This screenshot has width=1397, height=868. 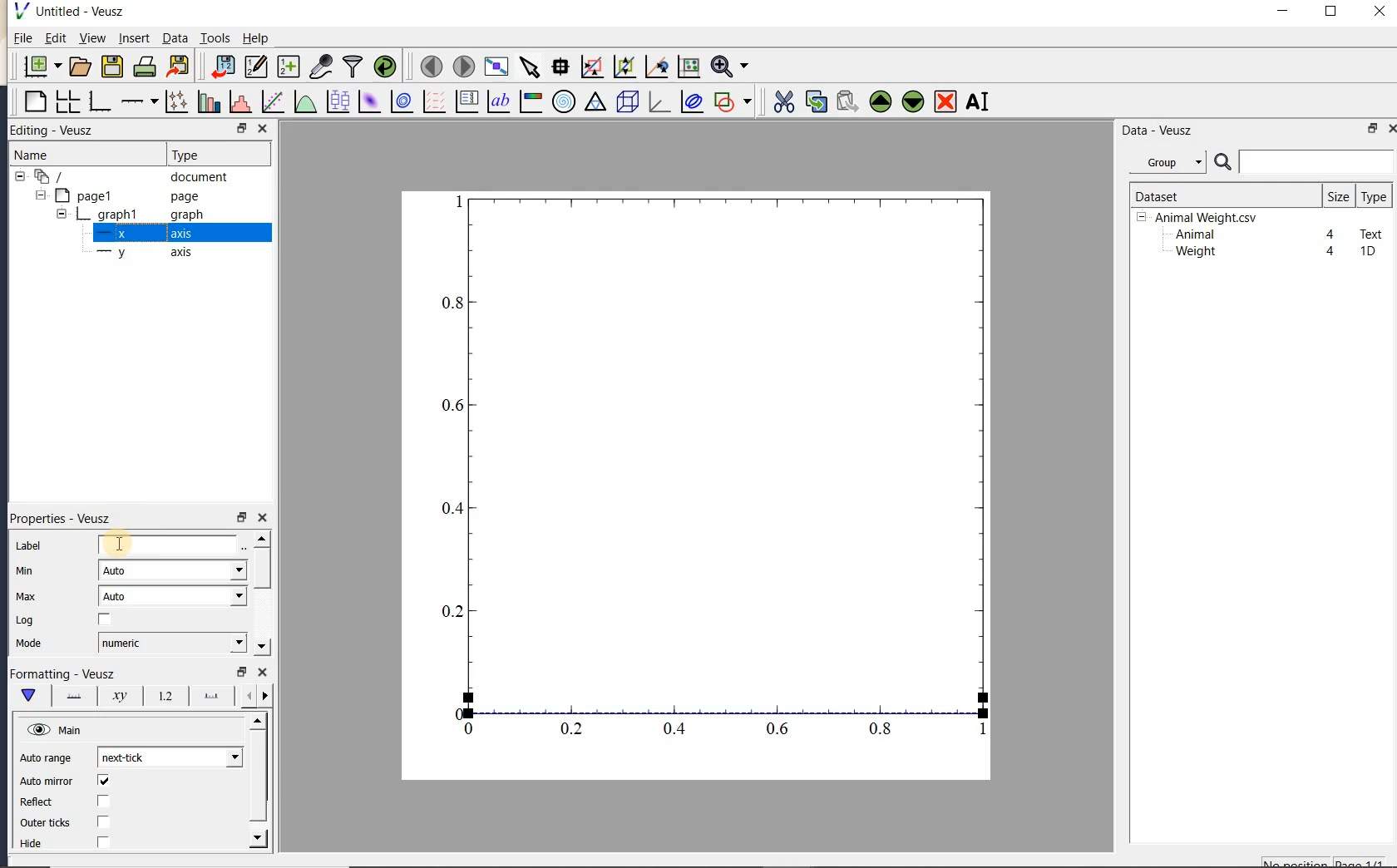 I want to click on create new datasets, so click(x=289, y=65).